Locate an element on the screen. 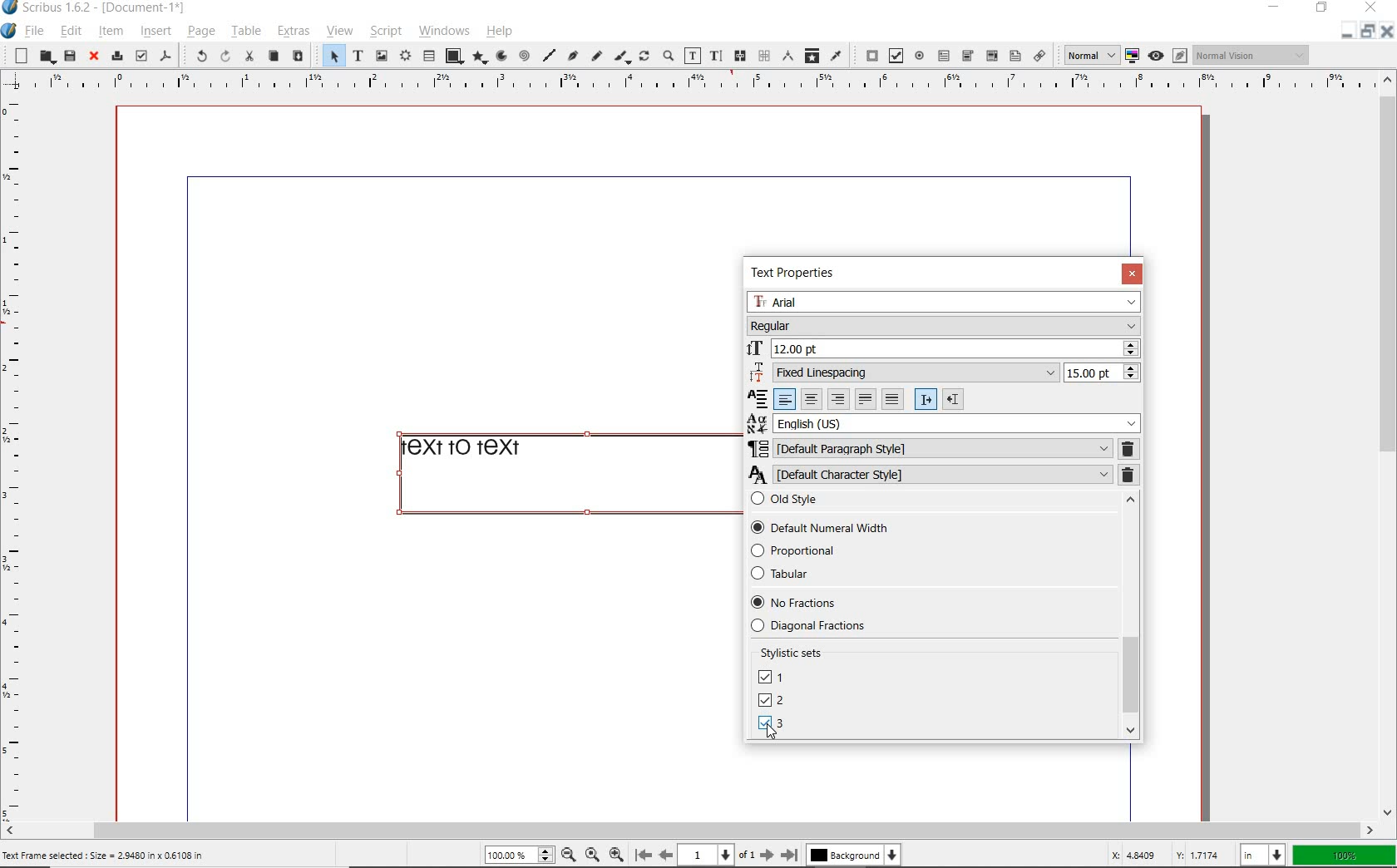 The height and width of the screenshot is (868, 1397). zoom in or zoom out is located at coordinates (668, 57).